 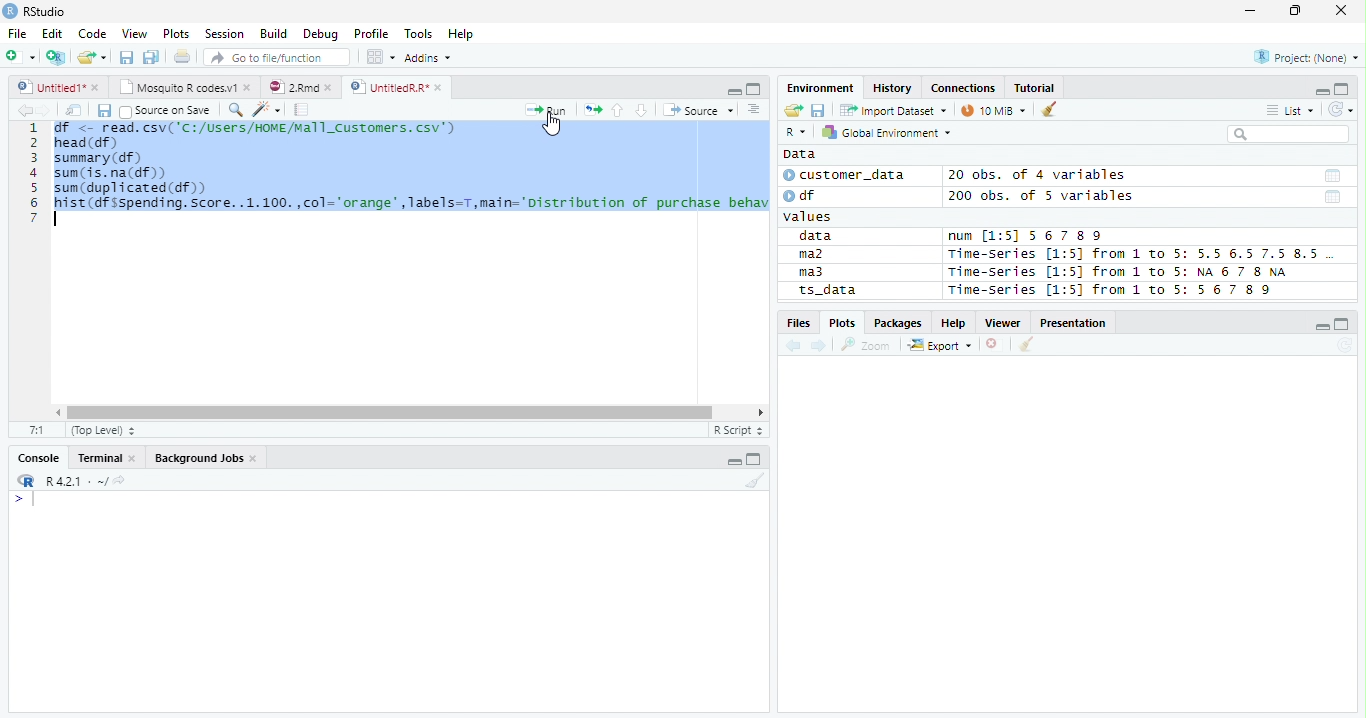 What do you see at coordinates (126, 56) in the screenshot?
I see `Save` at bounding box center [126, 56].